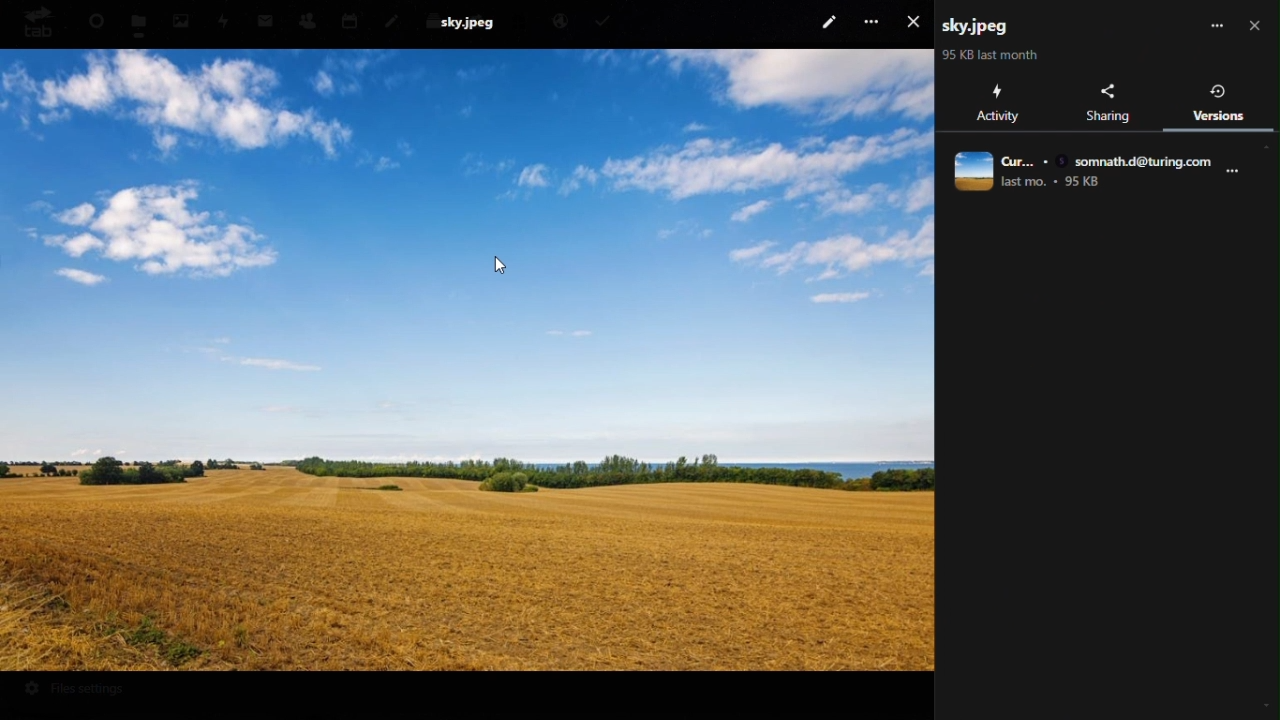  I want to click on More, so click(1218, 23).